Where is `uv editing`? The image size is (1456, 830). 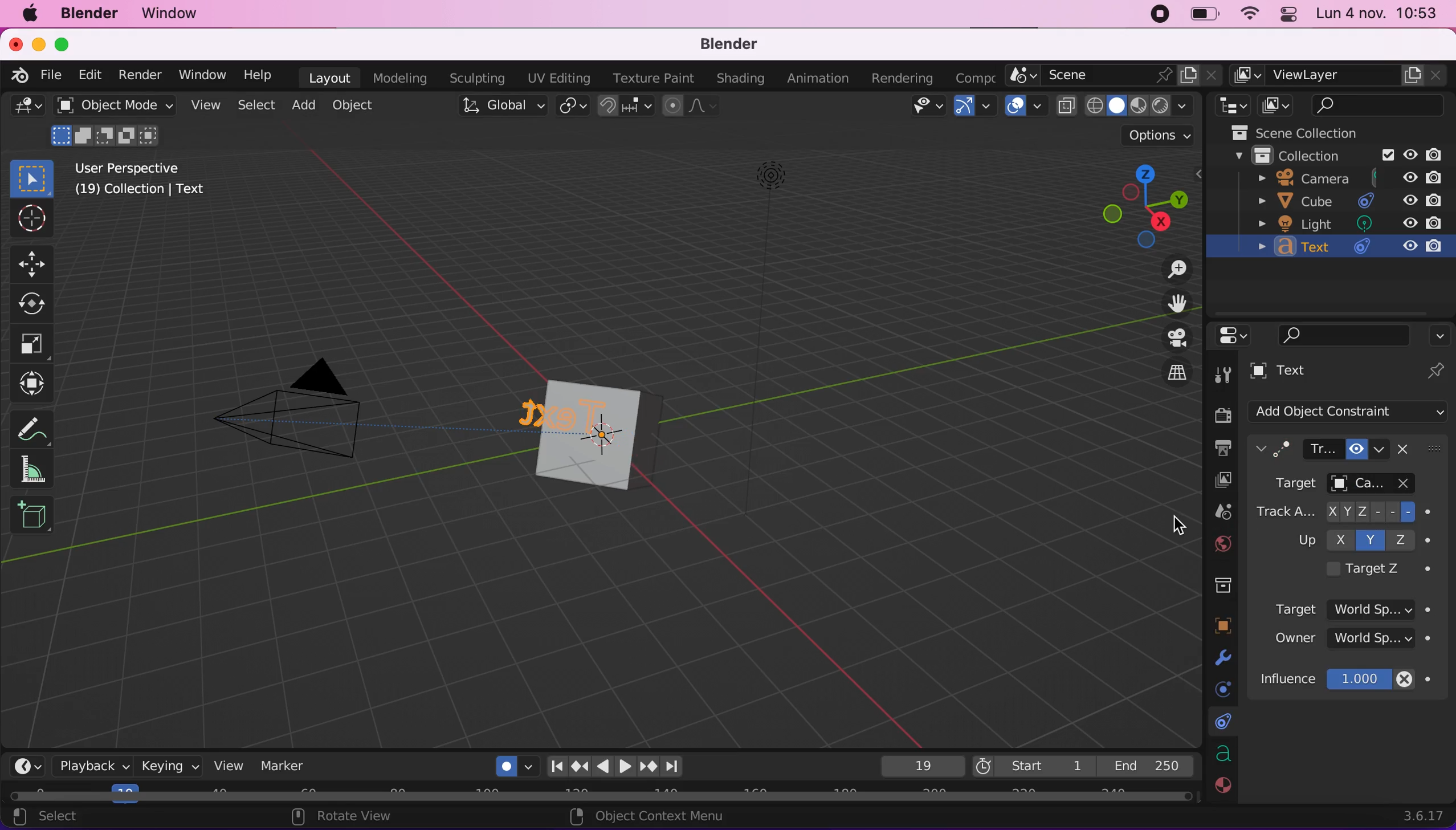 uv editing is located at coordinates (561, 76).